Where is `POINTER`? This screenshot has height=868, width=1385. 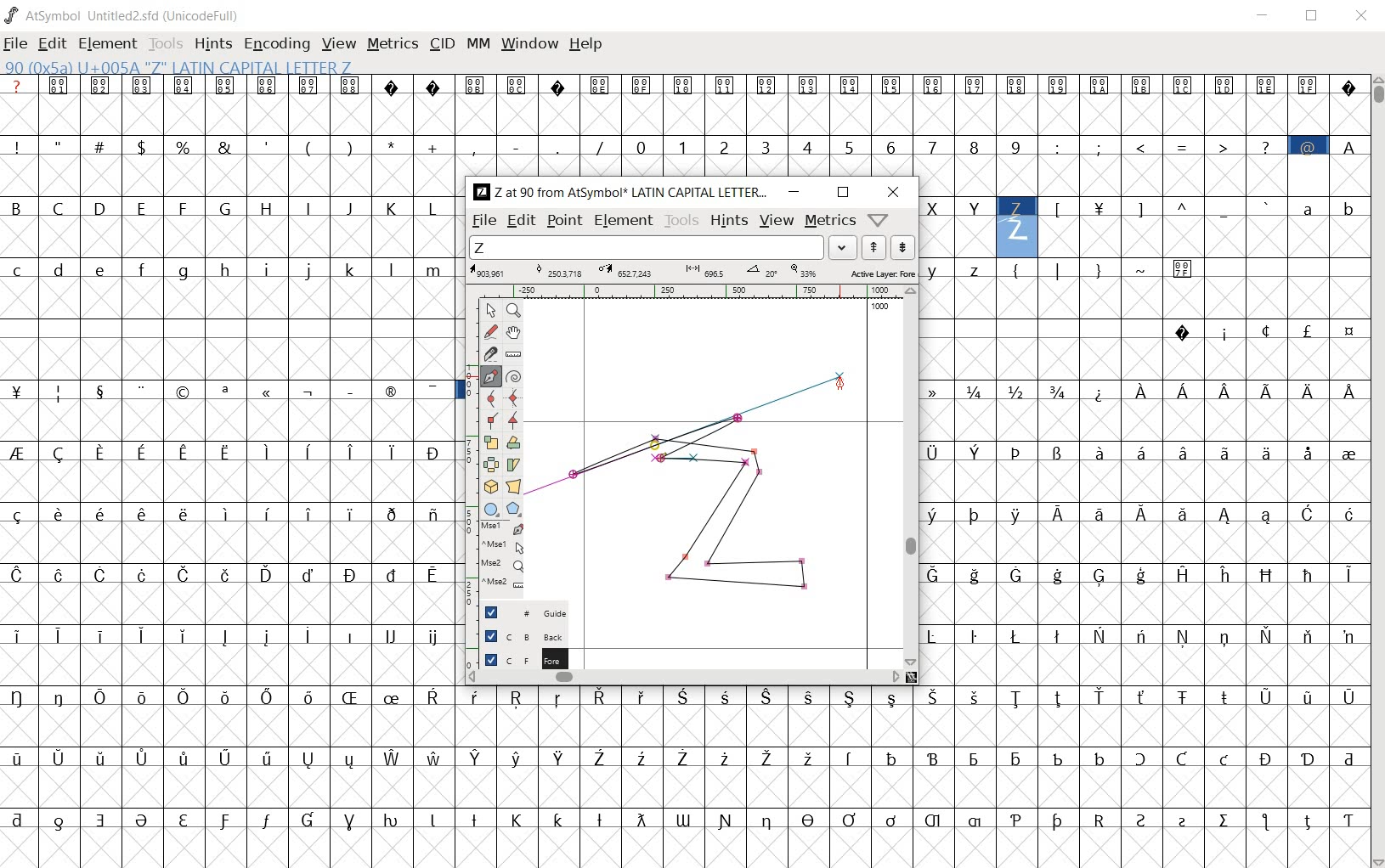
POINTER is located at coordinates (490, 311).